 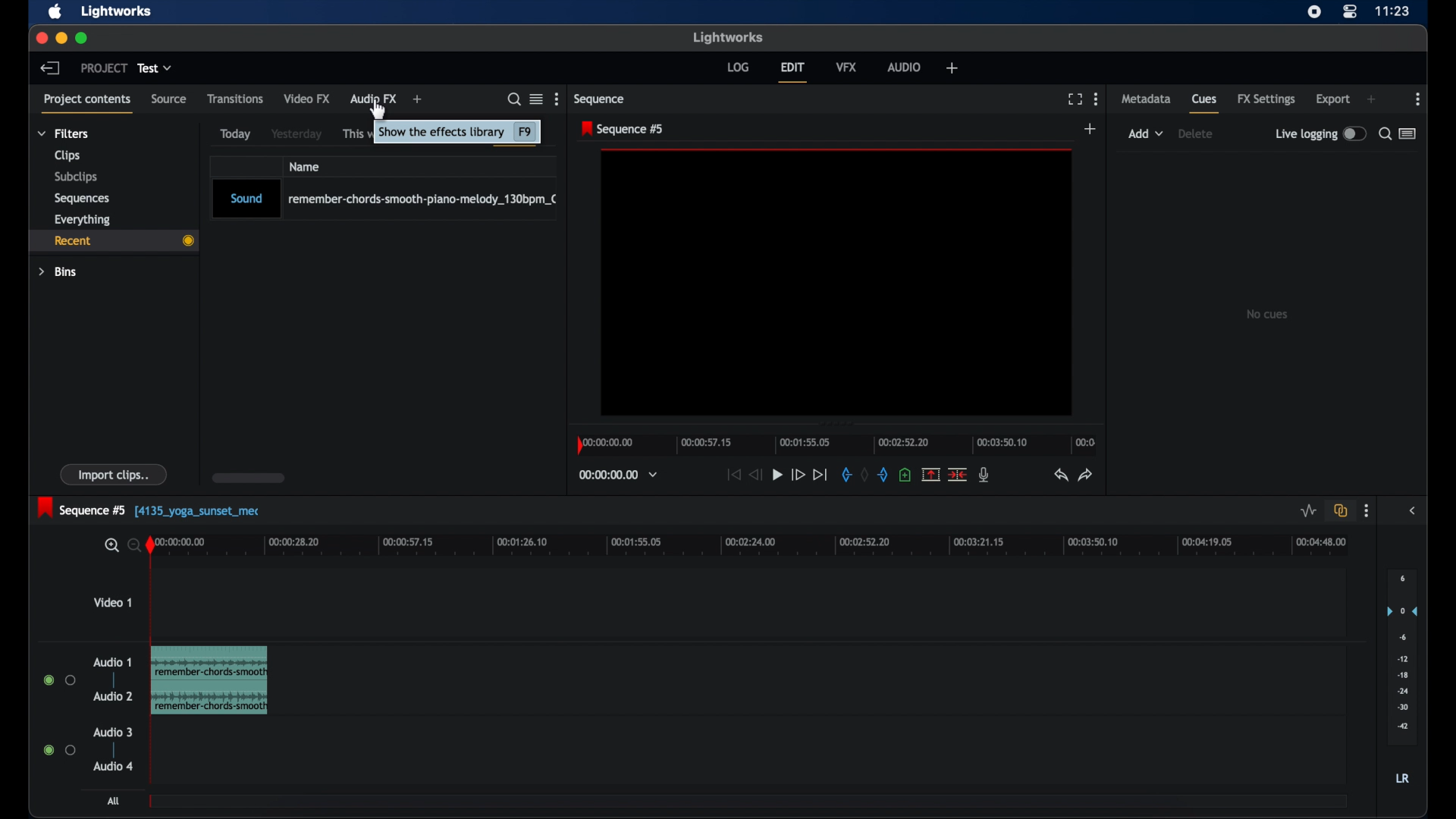 What do you see at coordinates (1205, 103) in the screenshot?
I see `cues` at bounding box center [1205, 103].